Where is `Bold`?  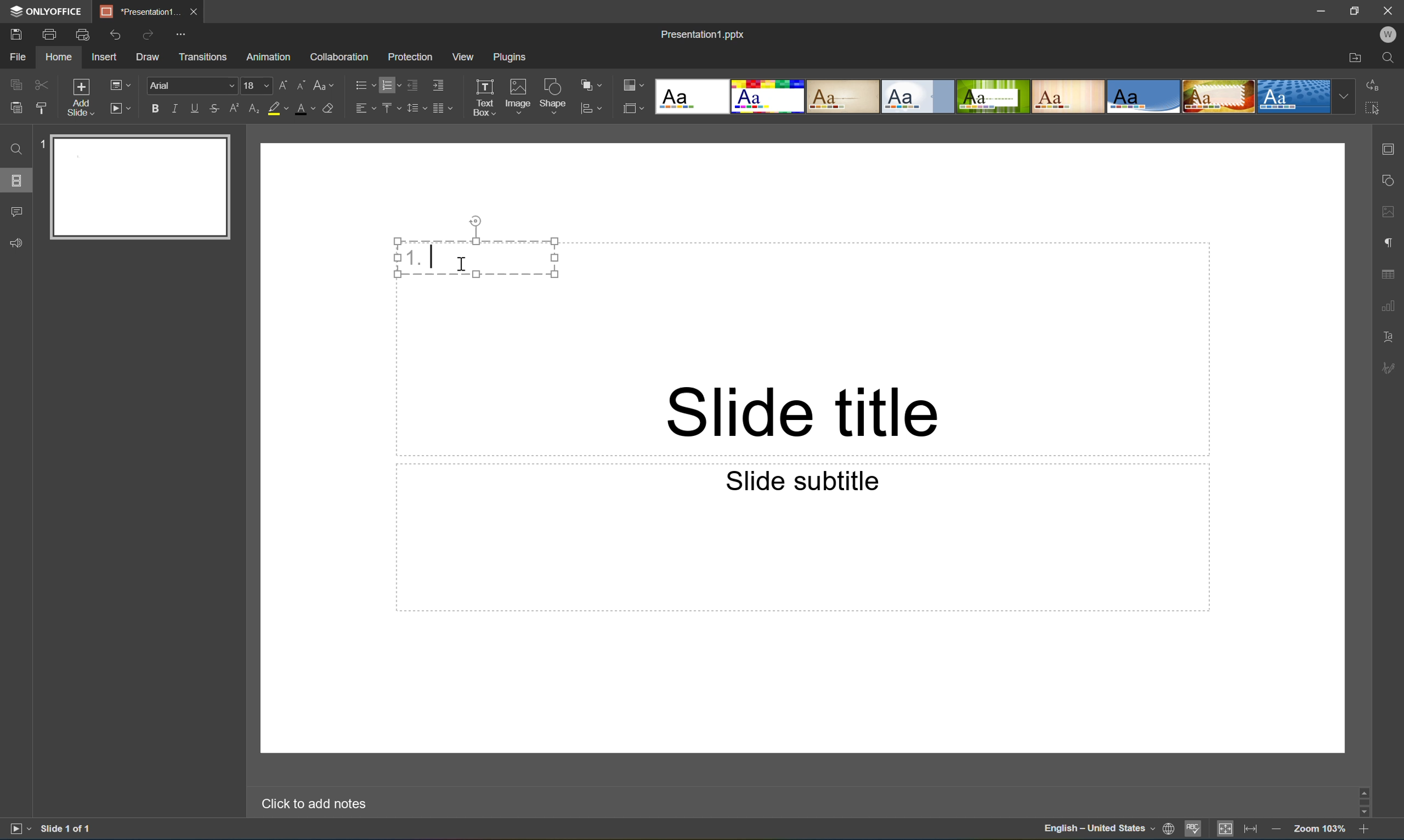 Bold is located at coordinates (156, 109).